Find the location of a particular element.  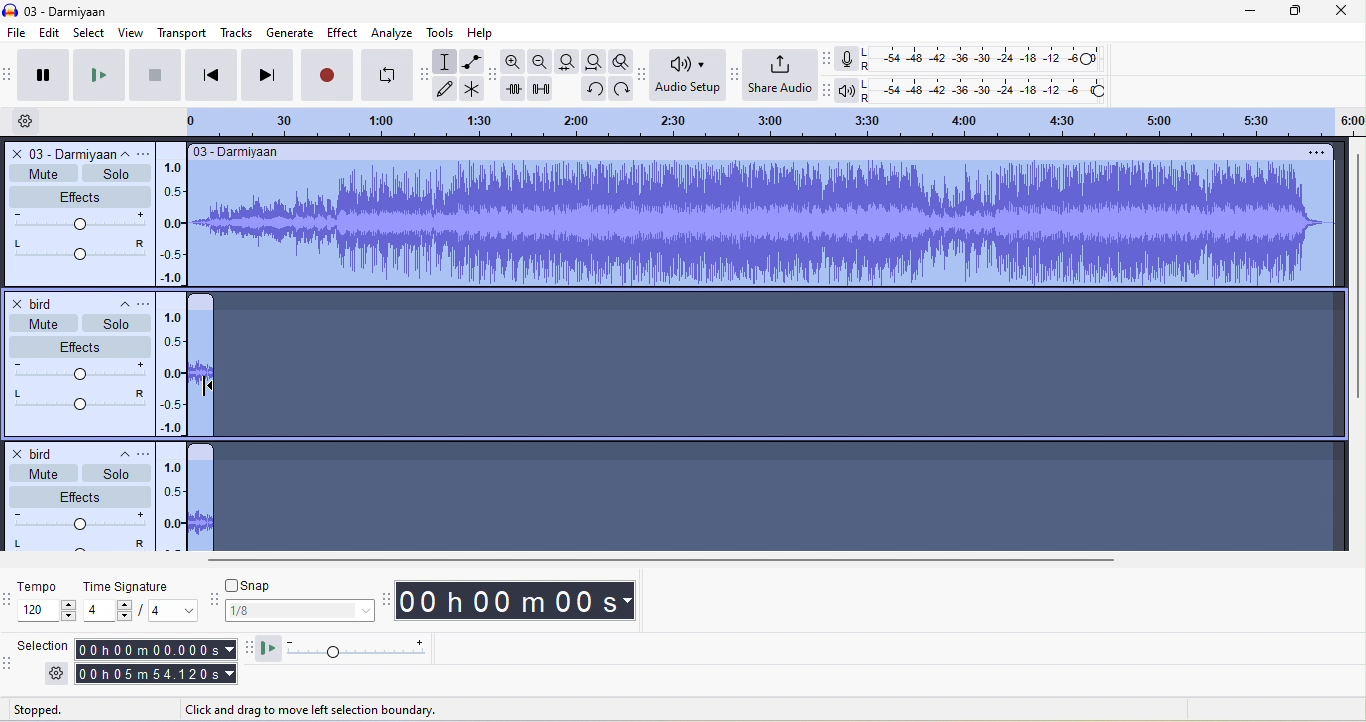

silence audio selection is located at coordinates (544, 89).